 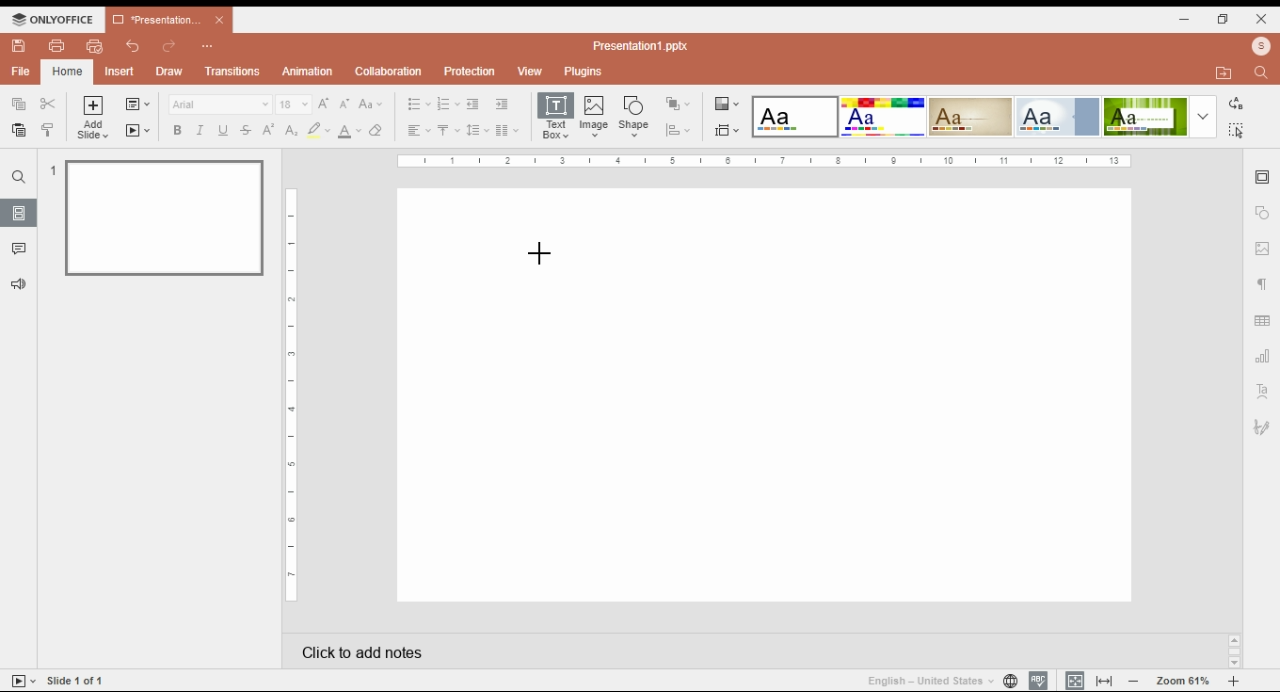 I want to click on quick print, so click(x=95, y=45).